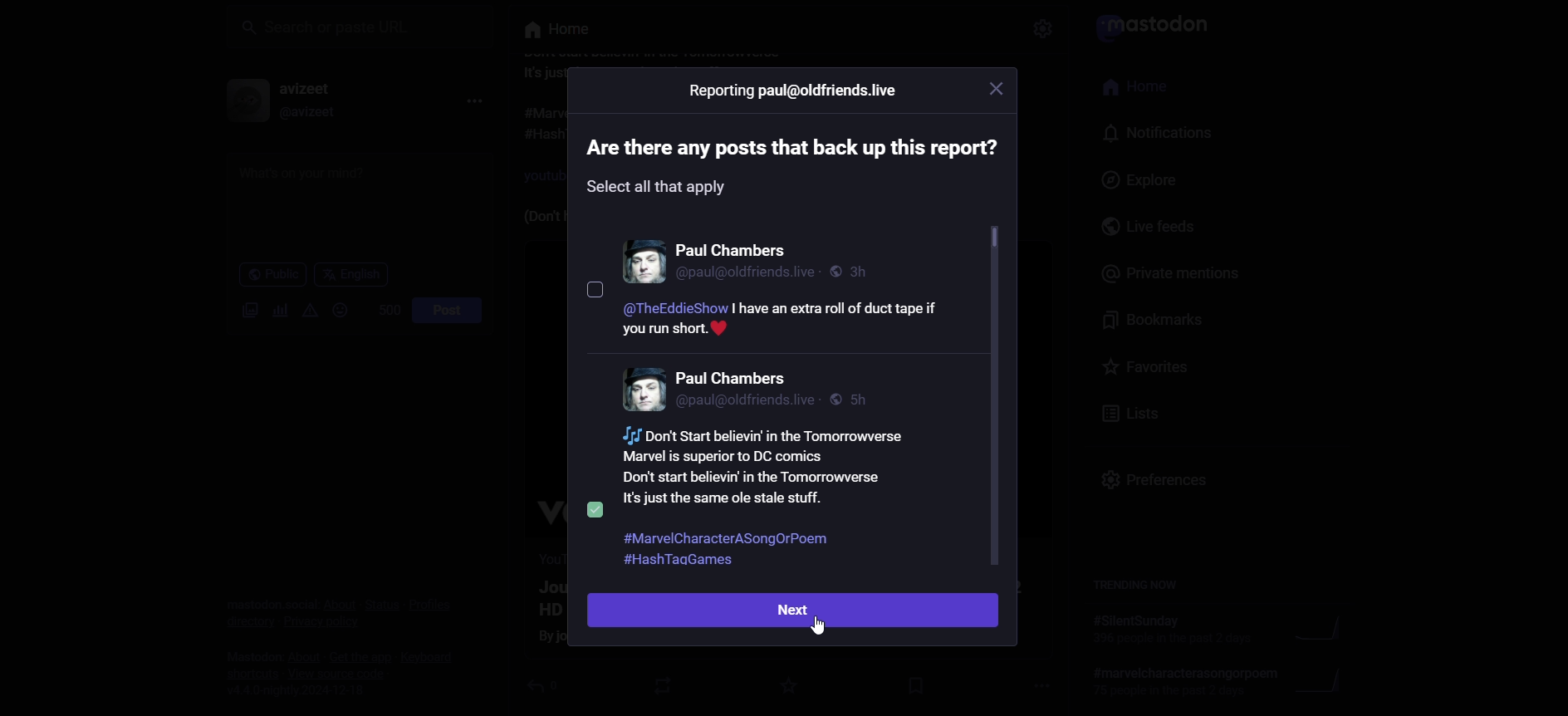 This screenshot has height=716, width=1568. What do you see at coordinates (772, 469) in the screenshot?
I see `` at bounding box center [772, 469].